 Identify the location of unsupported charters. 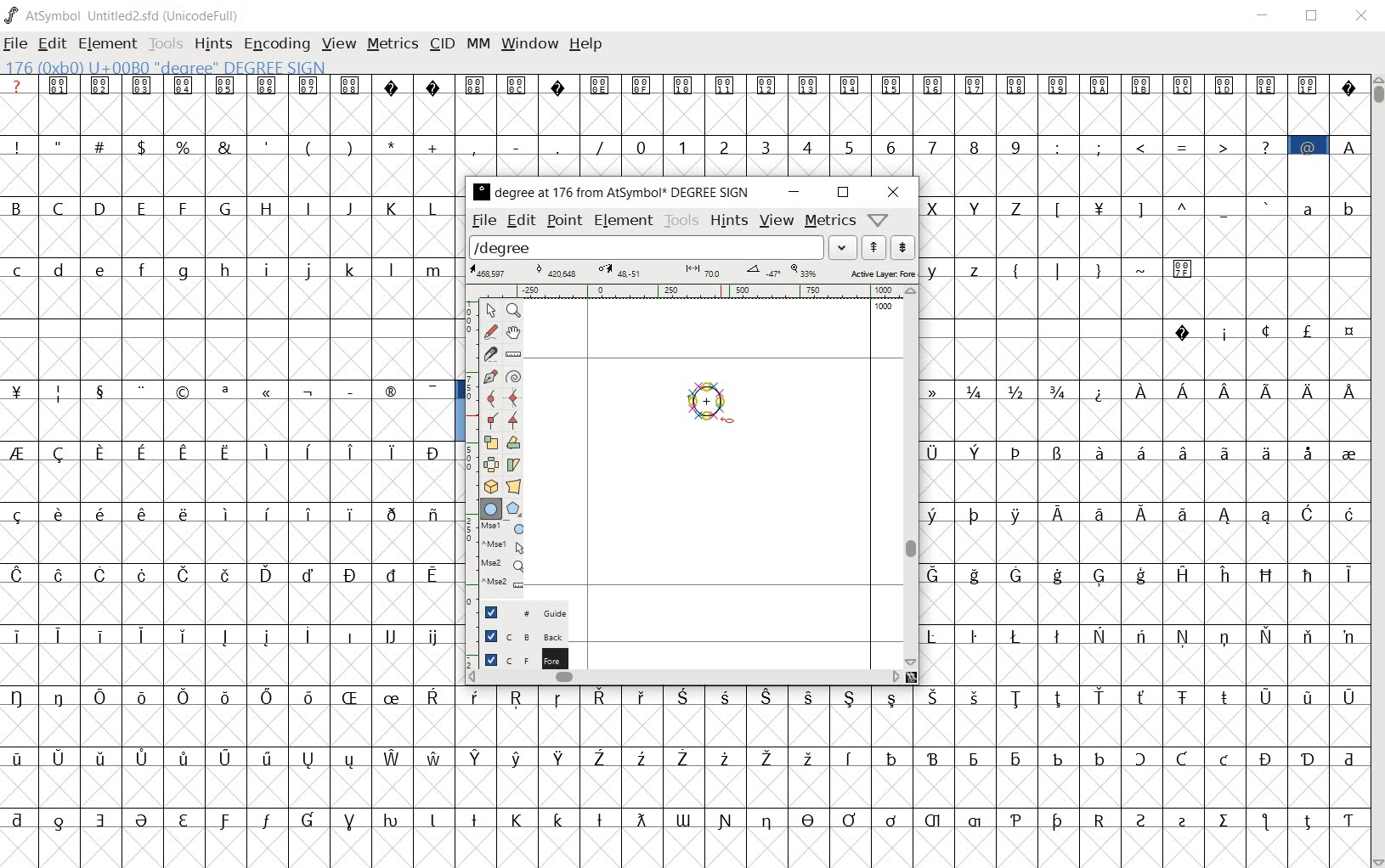
(414, 84).